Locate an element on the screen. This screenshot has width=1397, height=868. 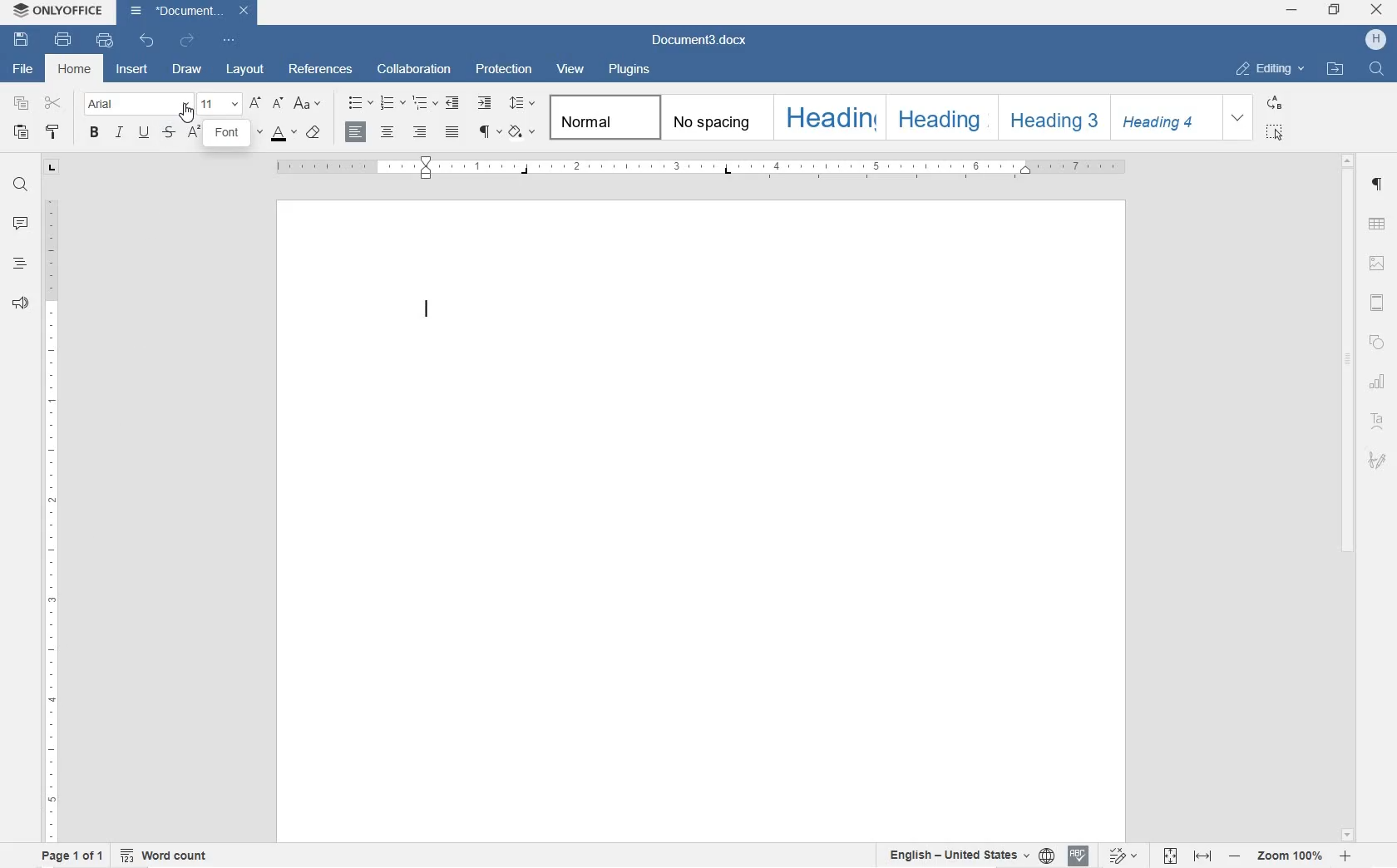
UNDERLINE is located at coordinates (143, 134).